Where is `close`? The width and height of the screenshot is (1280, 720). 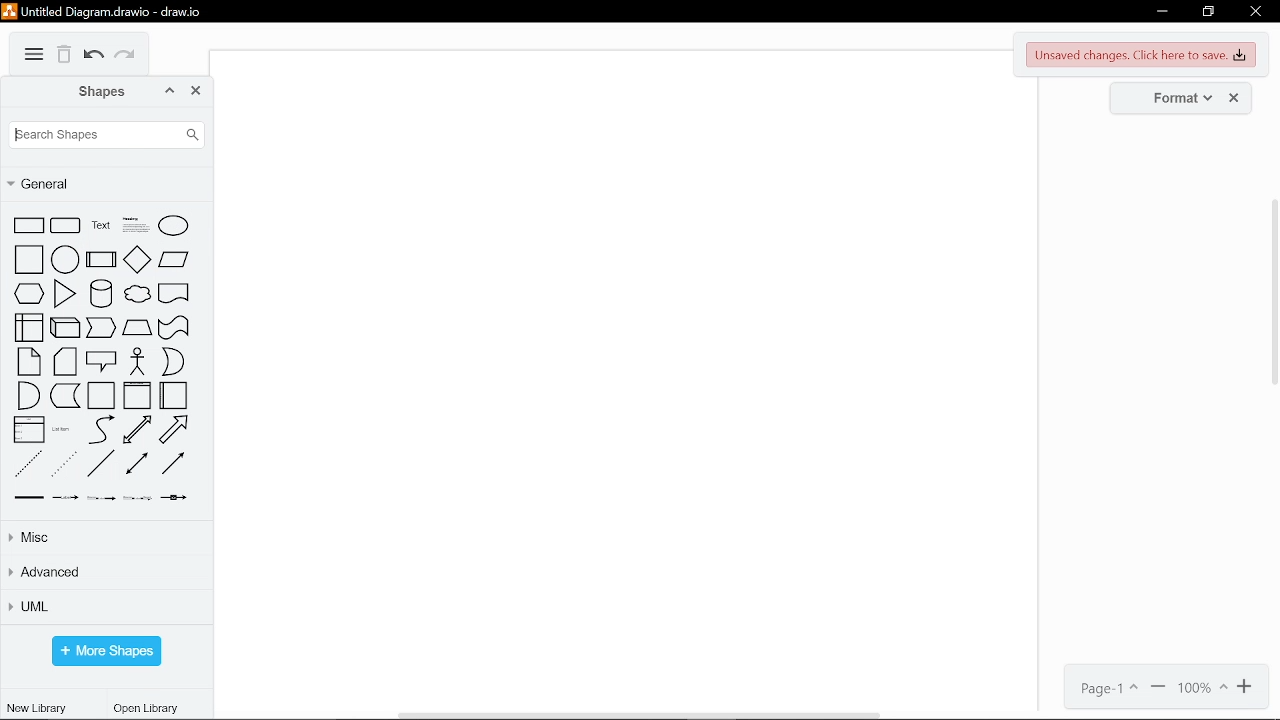
close is located at coordinates (1256, 14).